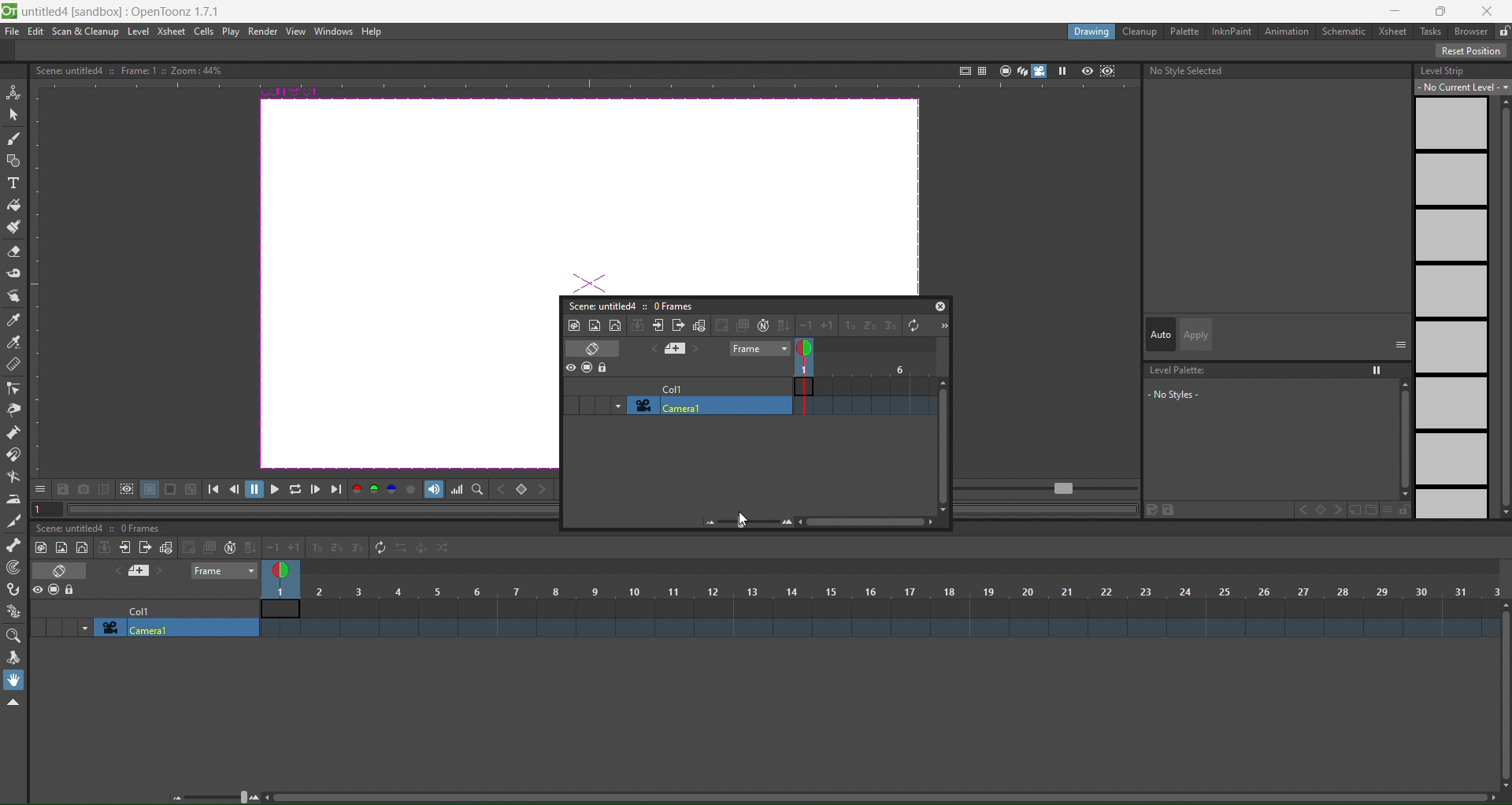 The image size is (1512, 805). Describe the element at coordinates (673, 306) in the screenshot. I see `0 frames` at that location.